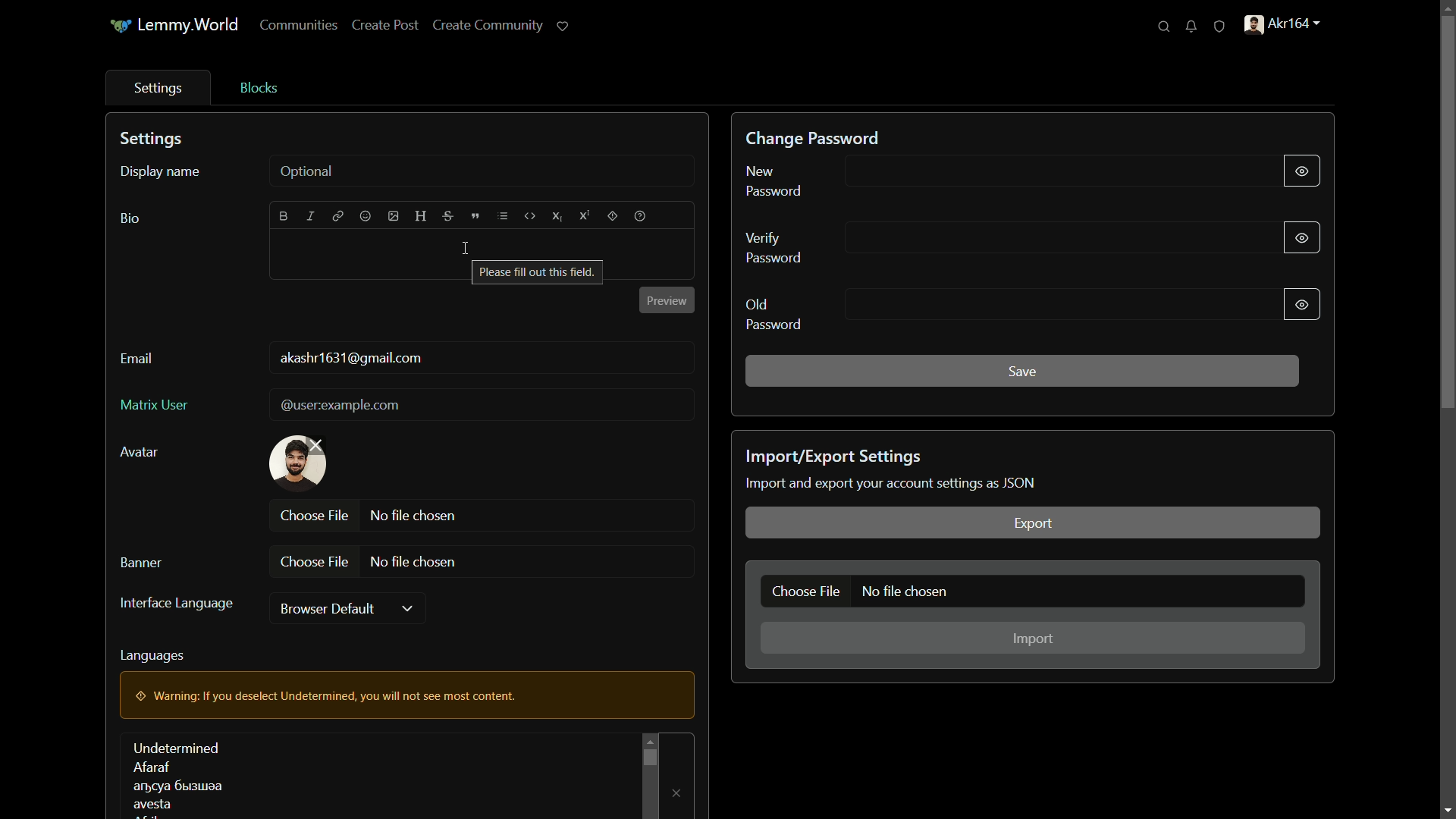 The height and width of the screenshot is (819, 1456). What do you see at coordinates (310, 216) in the screenshot?
I see `italic` at bounding box center [310, 216].